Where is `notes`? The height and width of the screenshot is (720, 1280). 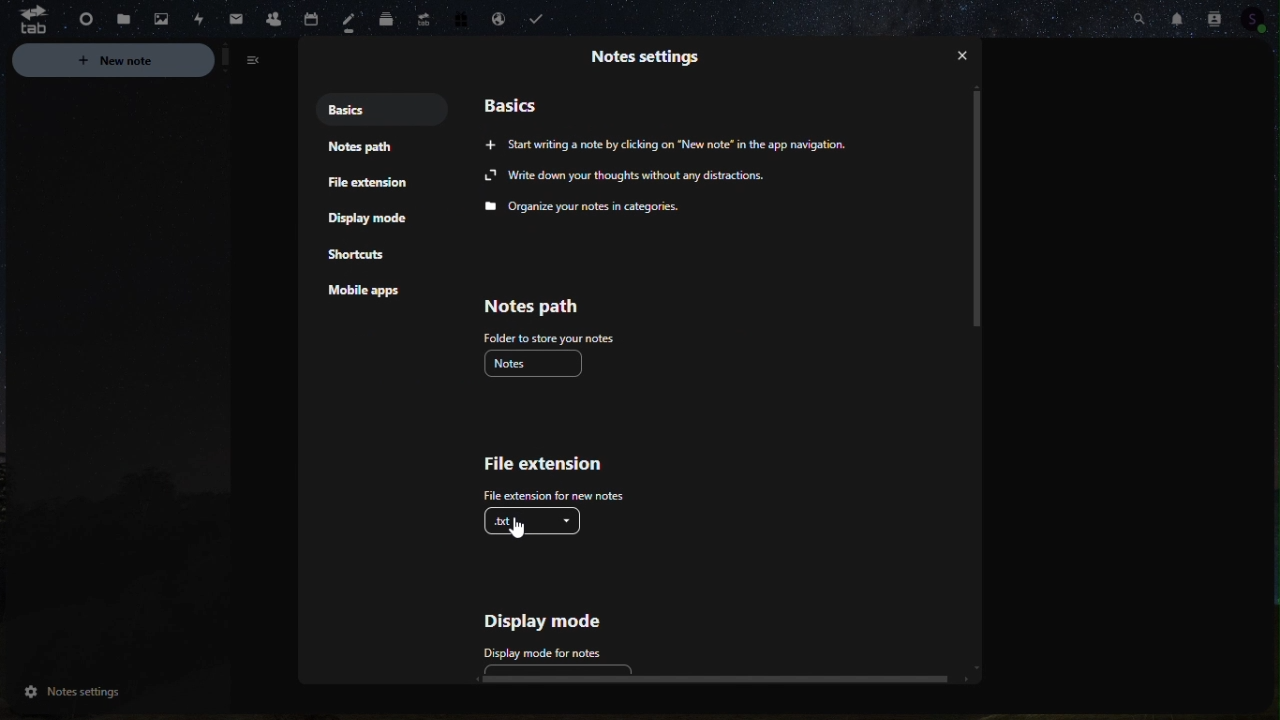 notes is located at coordinates (535, 363).